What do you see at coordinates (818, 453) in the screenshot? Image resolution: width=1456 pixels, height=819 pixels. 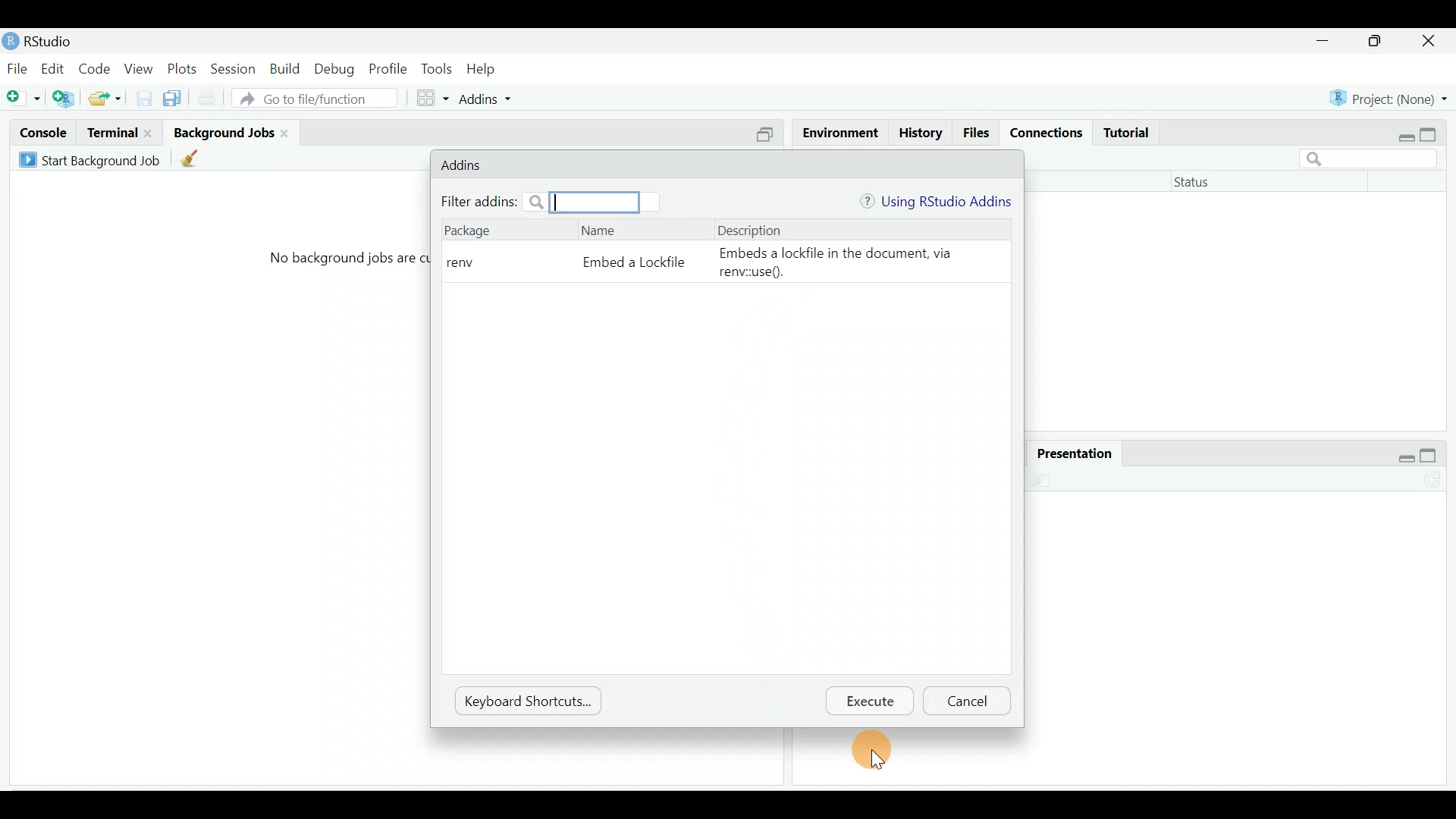 I see `Plots` at bounding box center [818, 453].